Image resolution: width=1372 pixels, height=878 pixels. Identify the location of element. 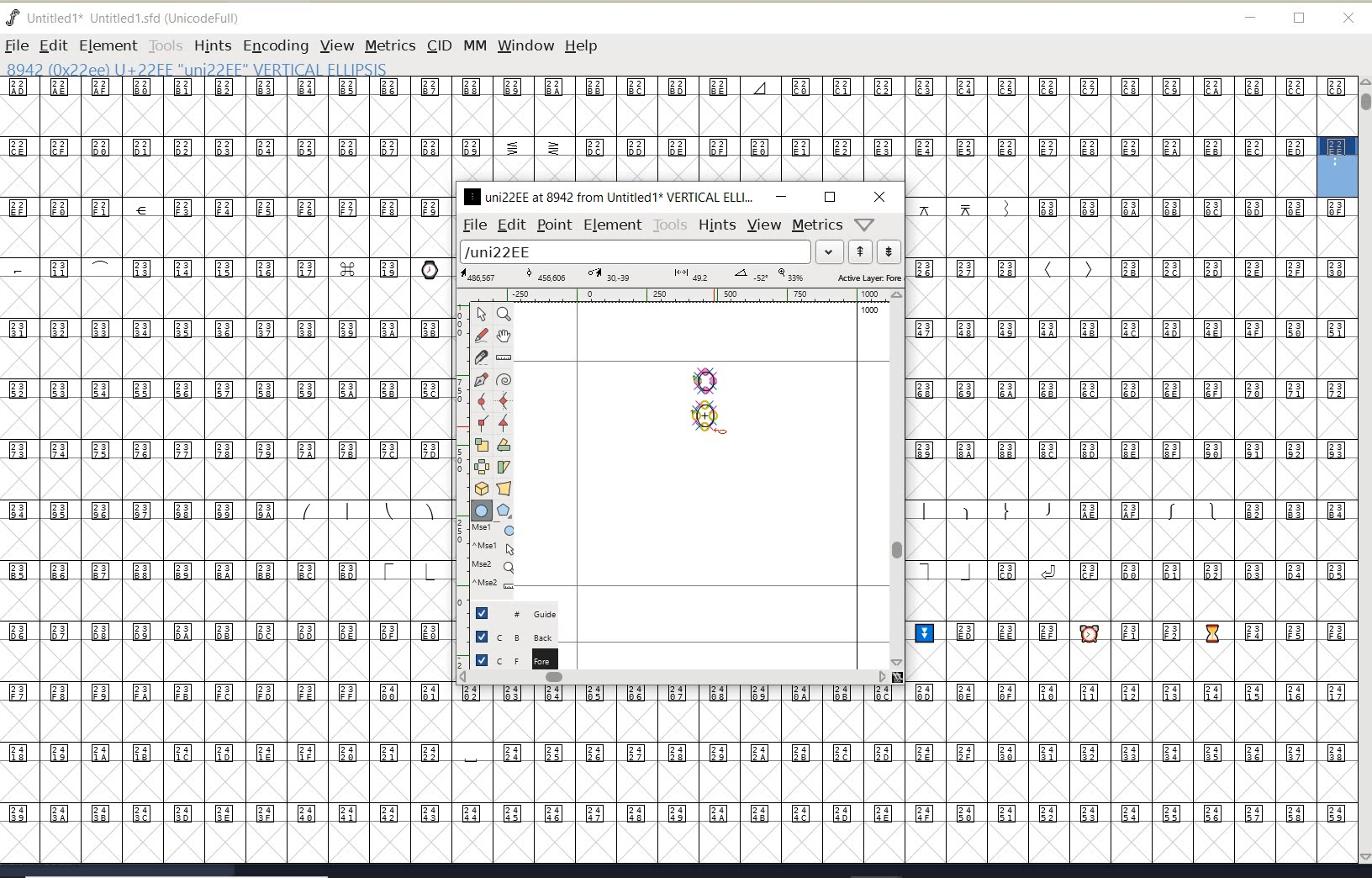
(613, 225).